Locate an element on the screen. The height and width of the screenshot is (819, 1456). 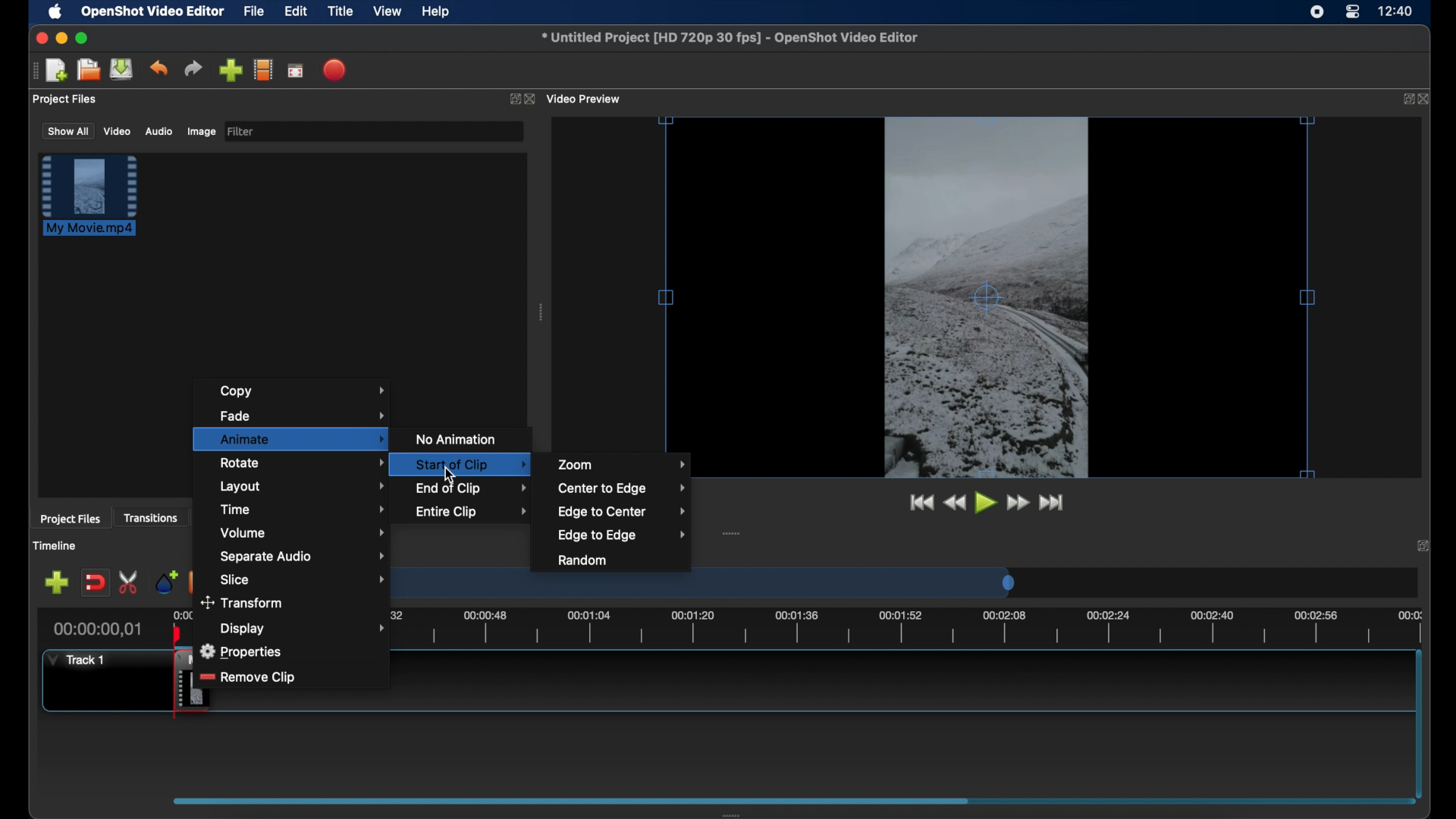
drag handle is located at coordinates (732, 535).